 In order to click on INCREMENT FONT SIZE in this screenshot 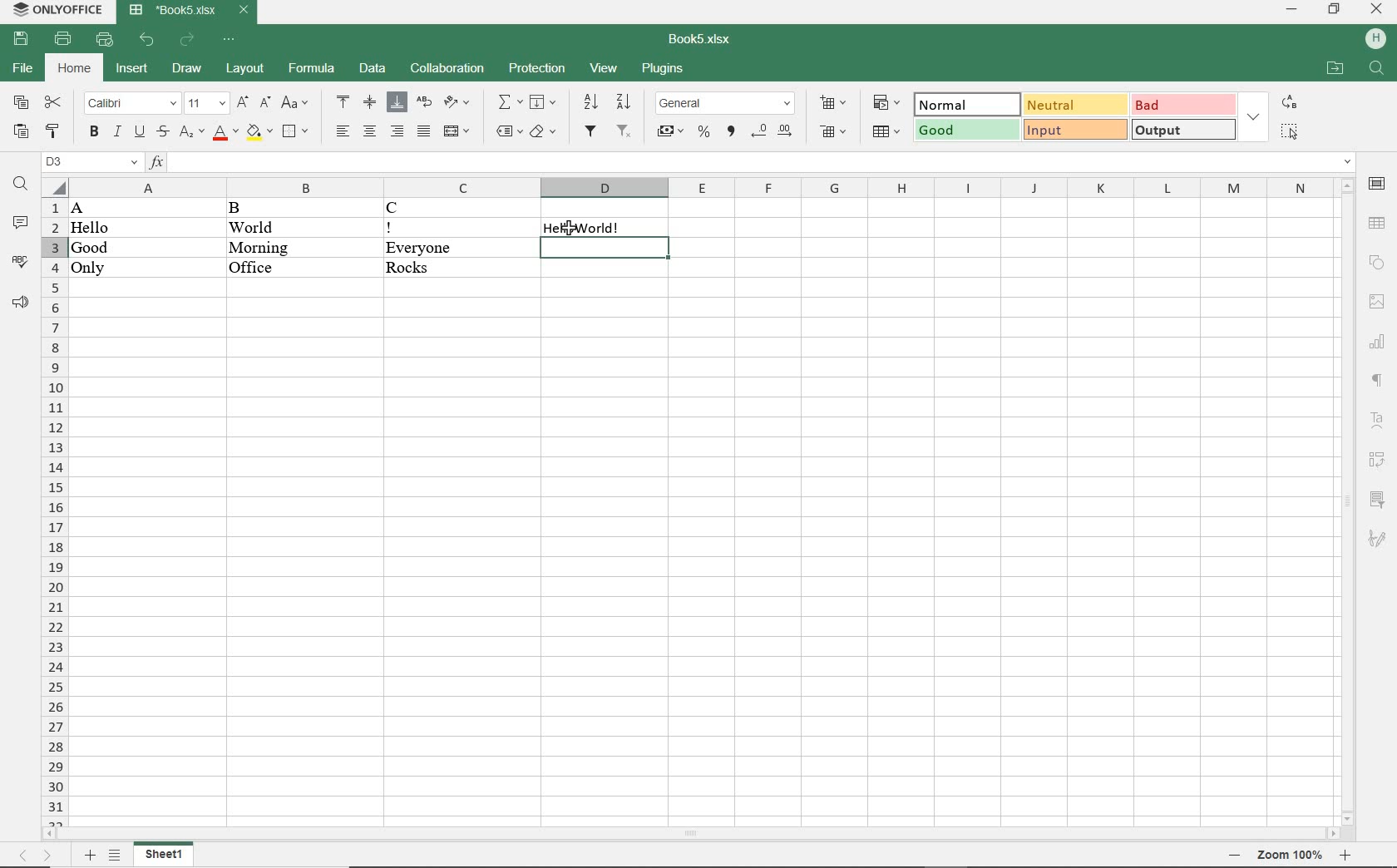, I will do `click(244, 104)`.